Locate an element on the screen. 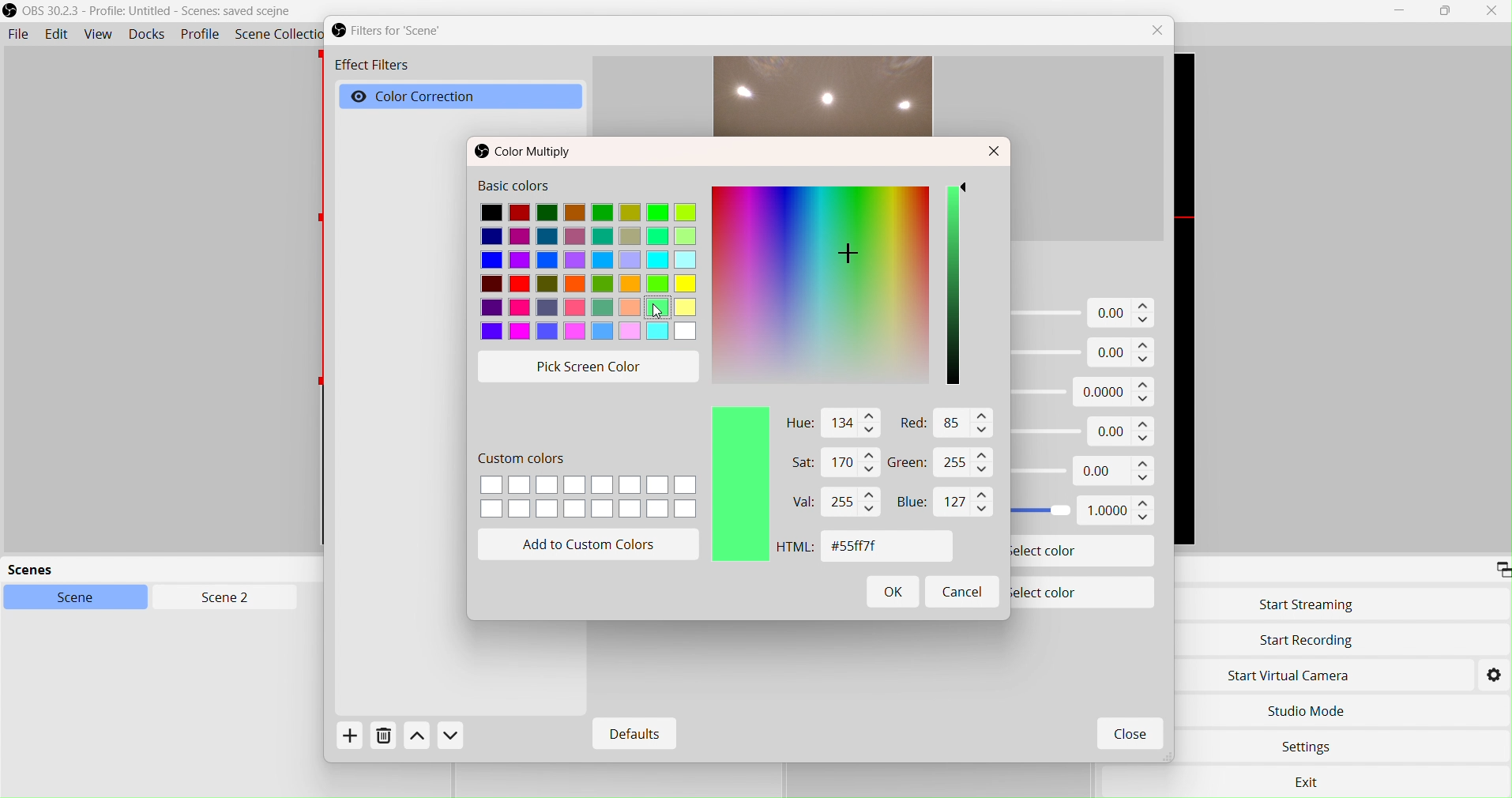 This screenshot has width=1512, height=798. Scene is located at coordinates (85, 598).